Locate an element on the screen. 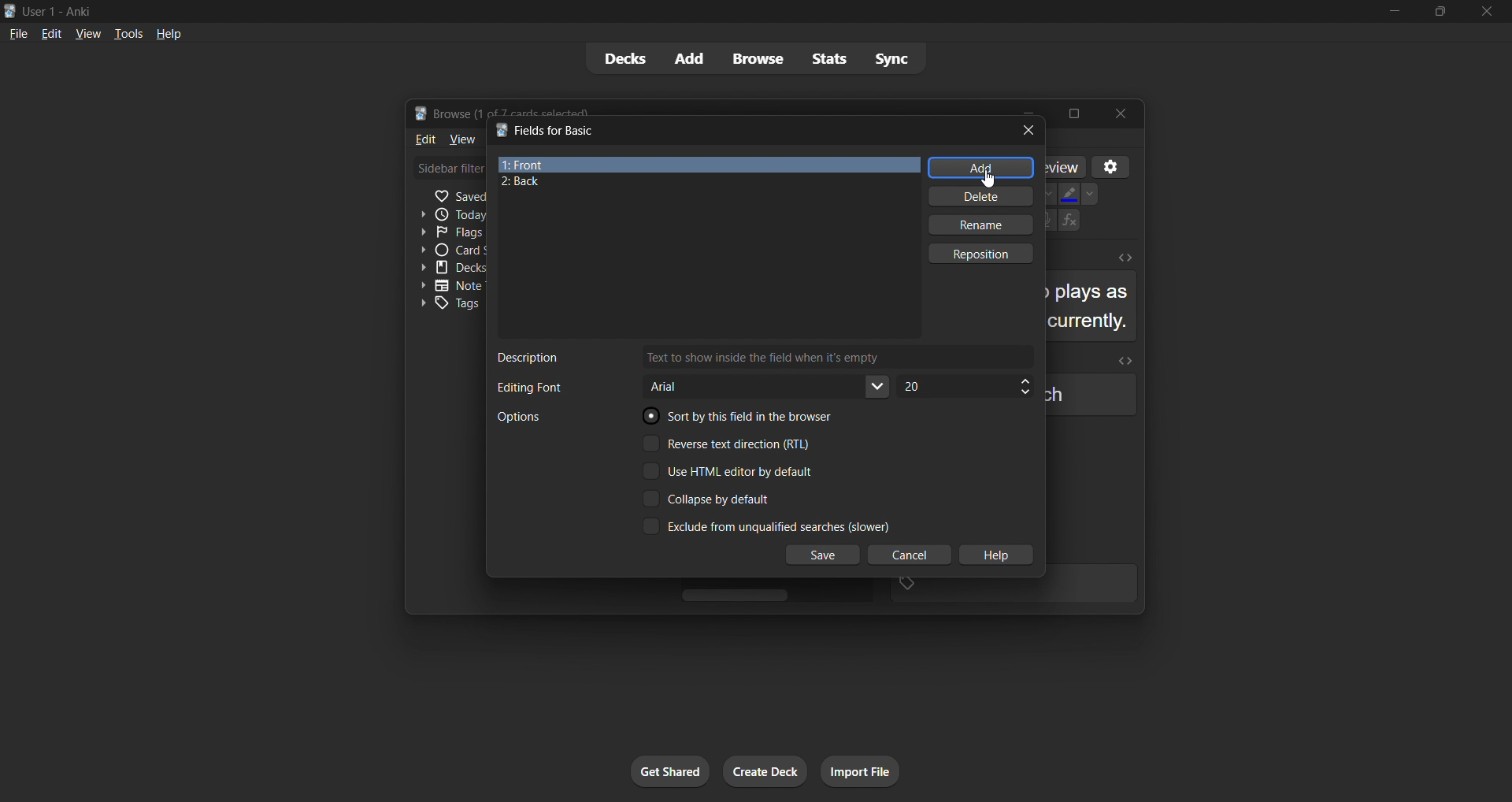  help is located at coordinates (166, 32).